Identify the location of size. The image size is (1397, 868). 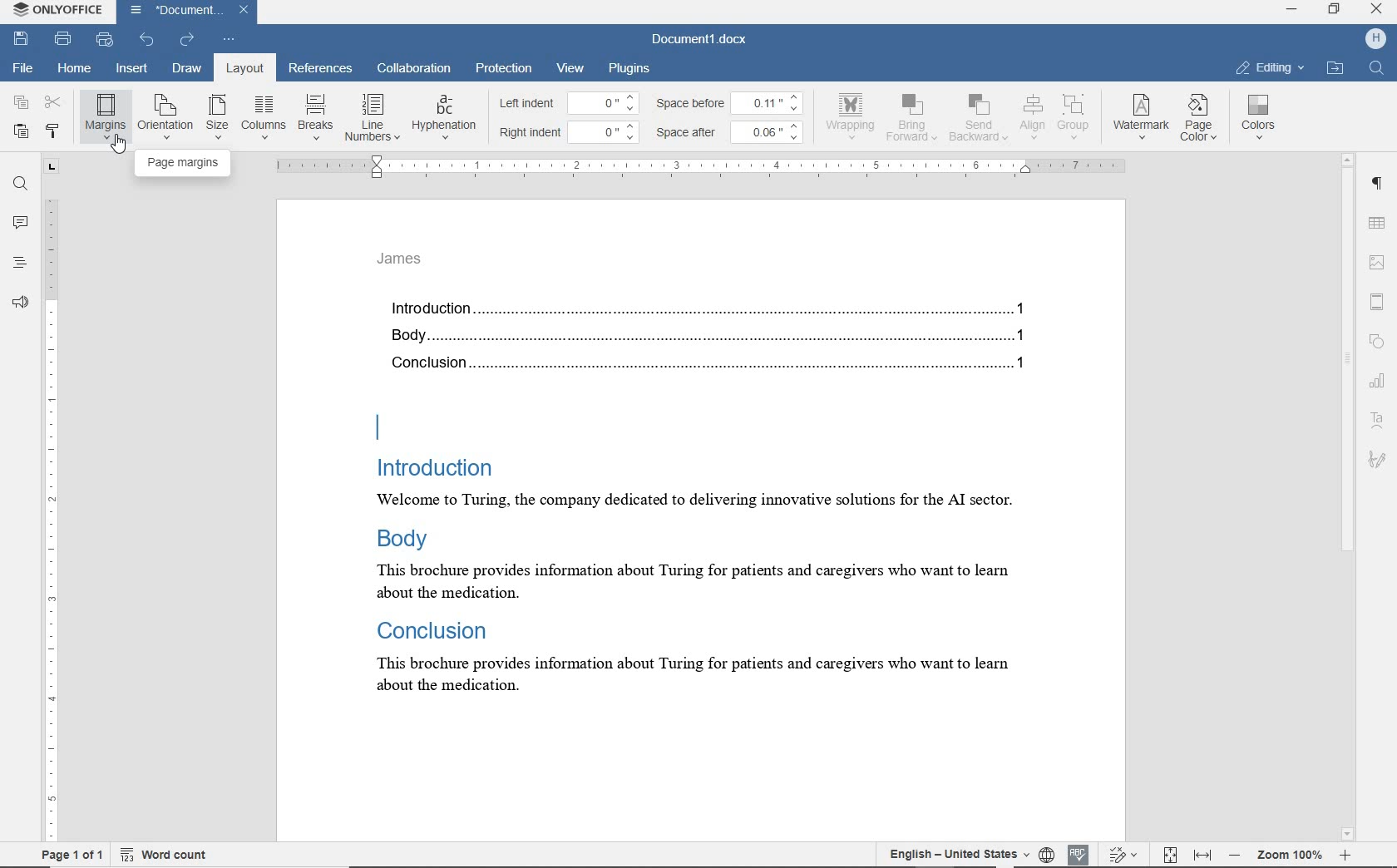
(217, 118).